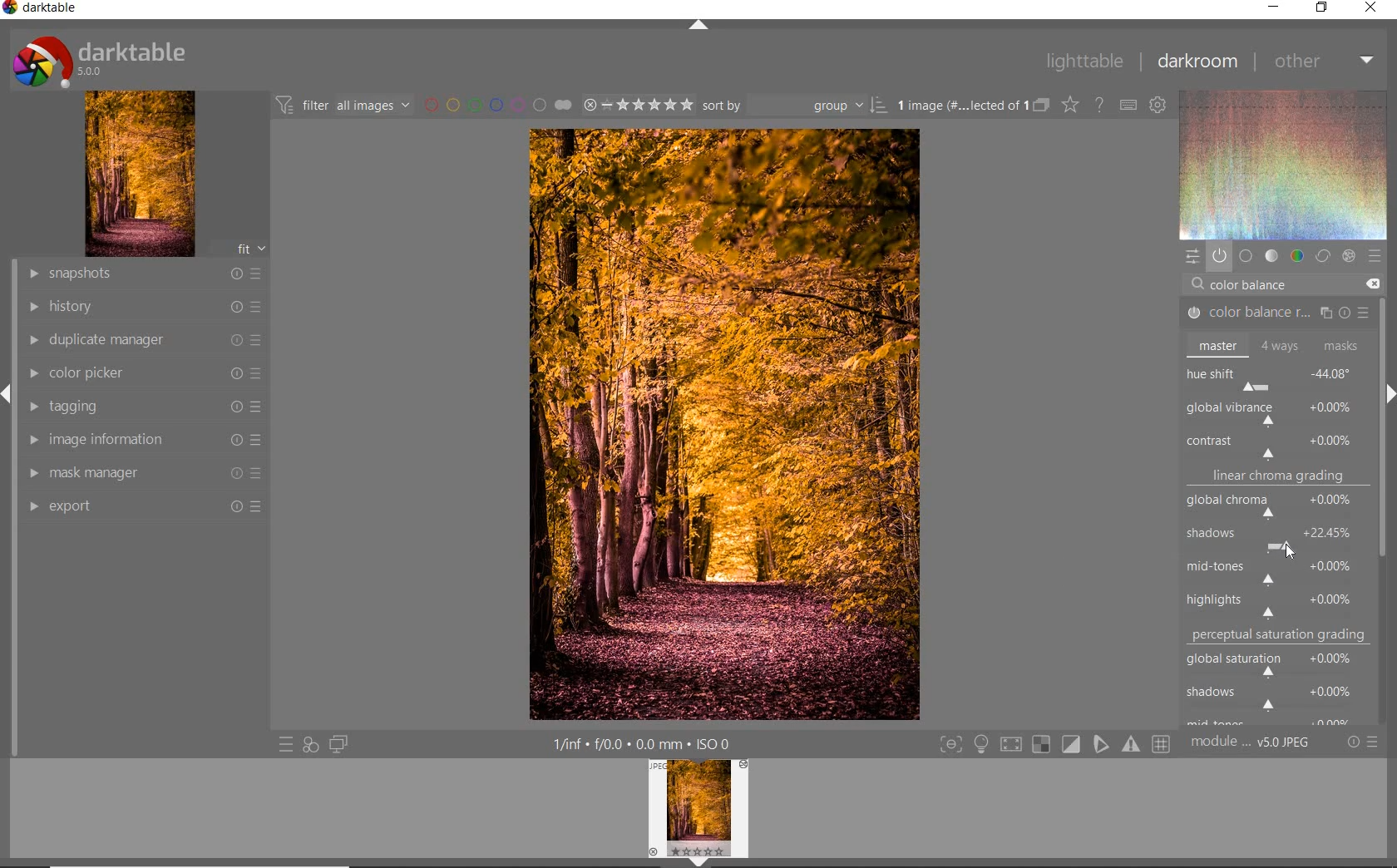 This screenshot has width=1397, height=868. What do you see at coordinates (1278, 537) in the screenshot?
I see `shadows` at bounding box center [1278, 537].